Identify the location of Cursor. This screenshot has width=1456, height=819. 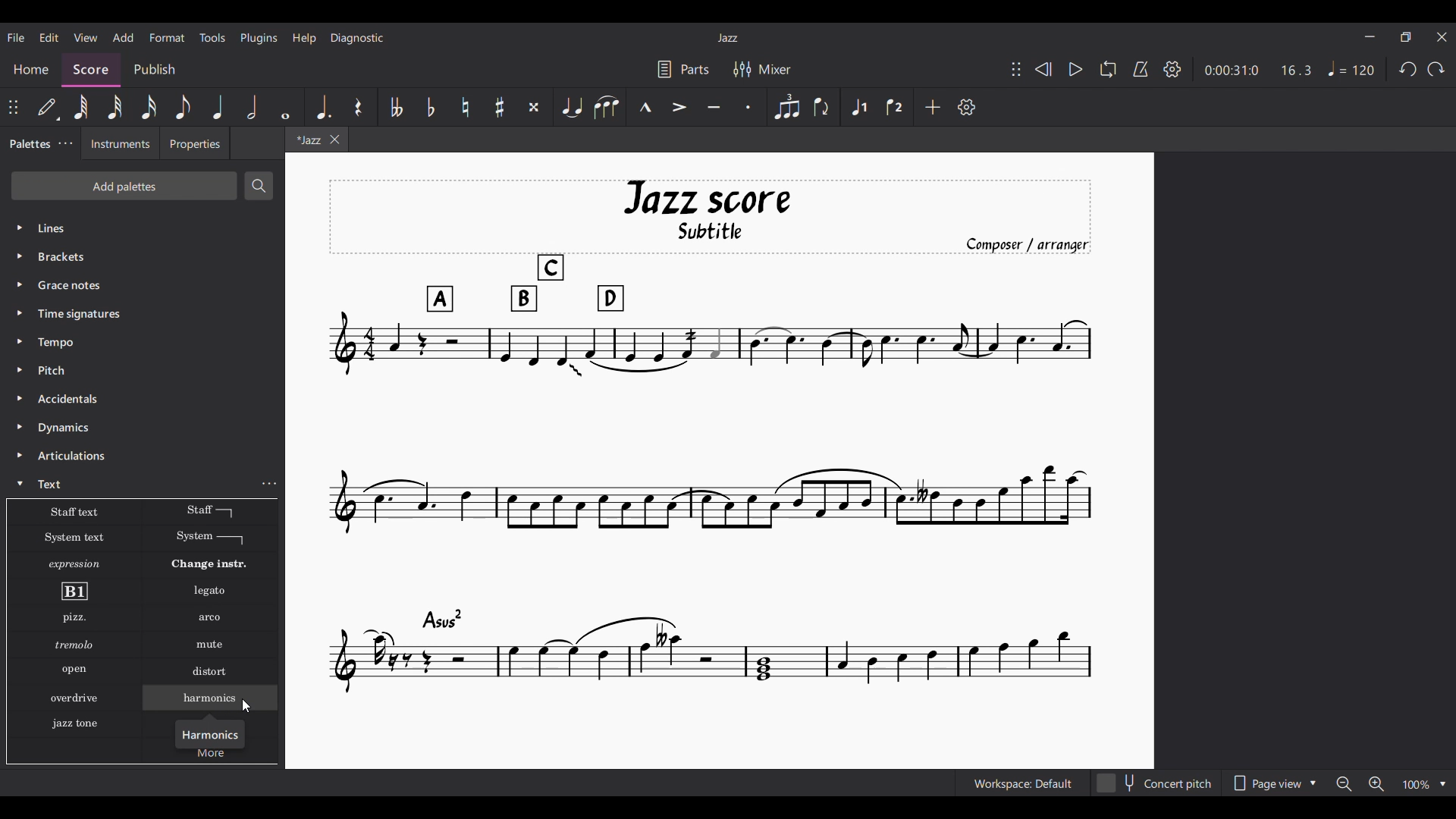
(245, 706).